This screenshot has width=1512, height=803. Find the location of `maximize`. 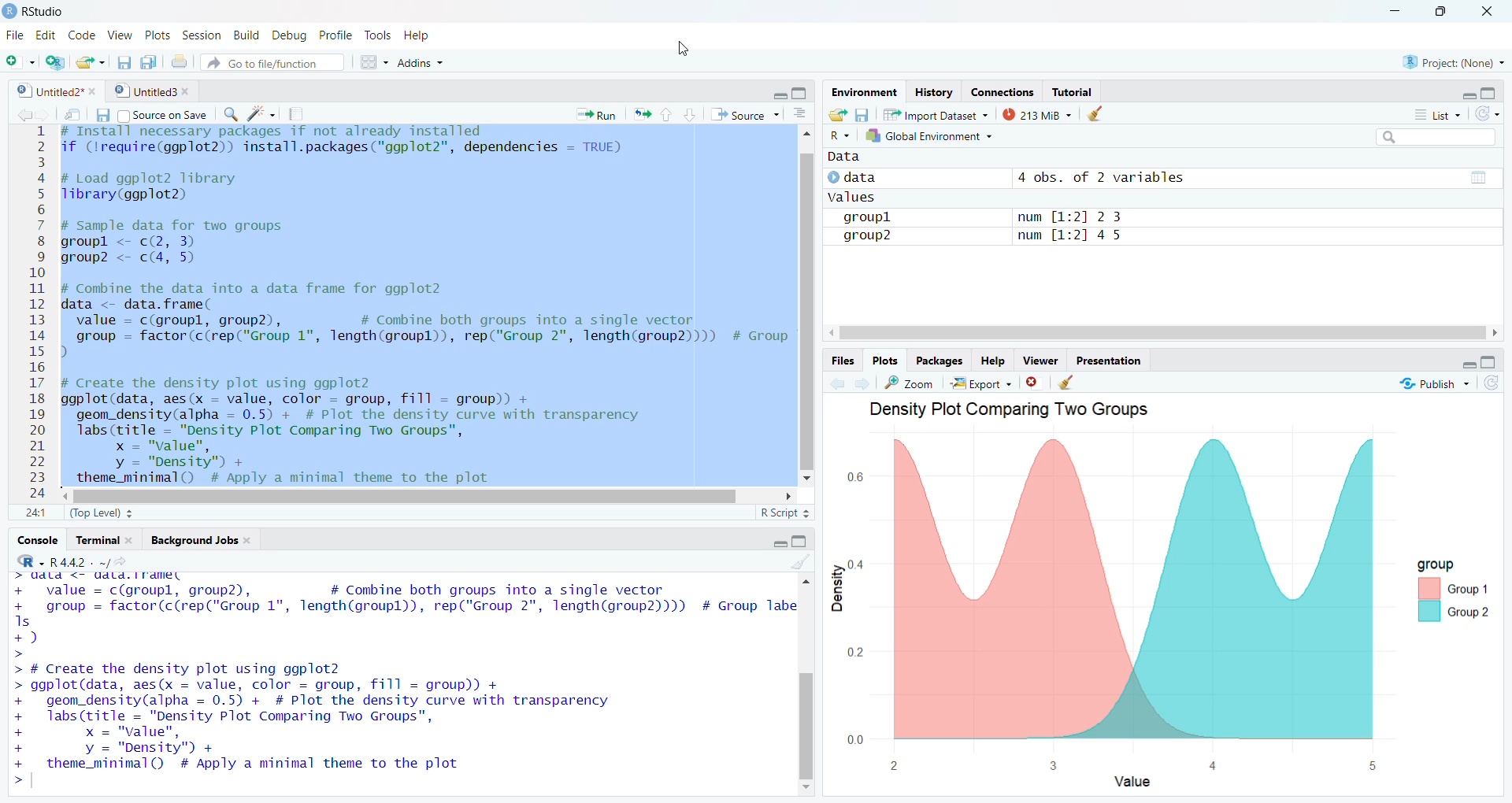

maximize is located at coordinates (1441, 12).